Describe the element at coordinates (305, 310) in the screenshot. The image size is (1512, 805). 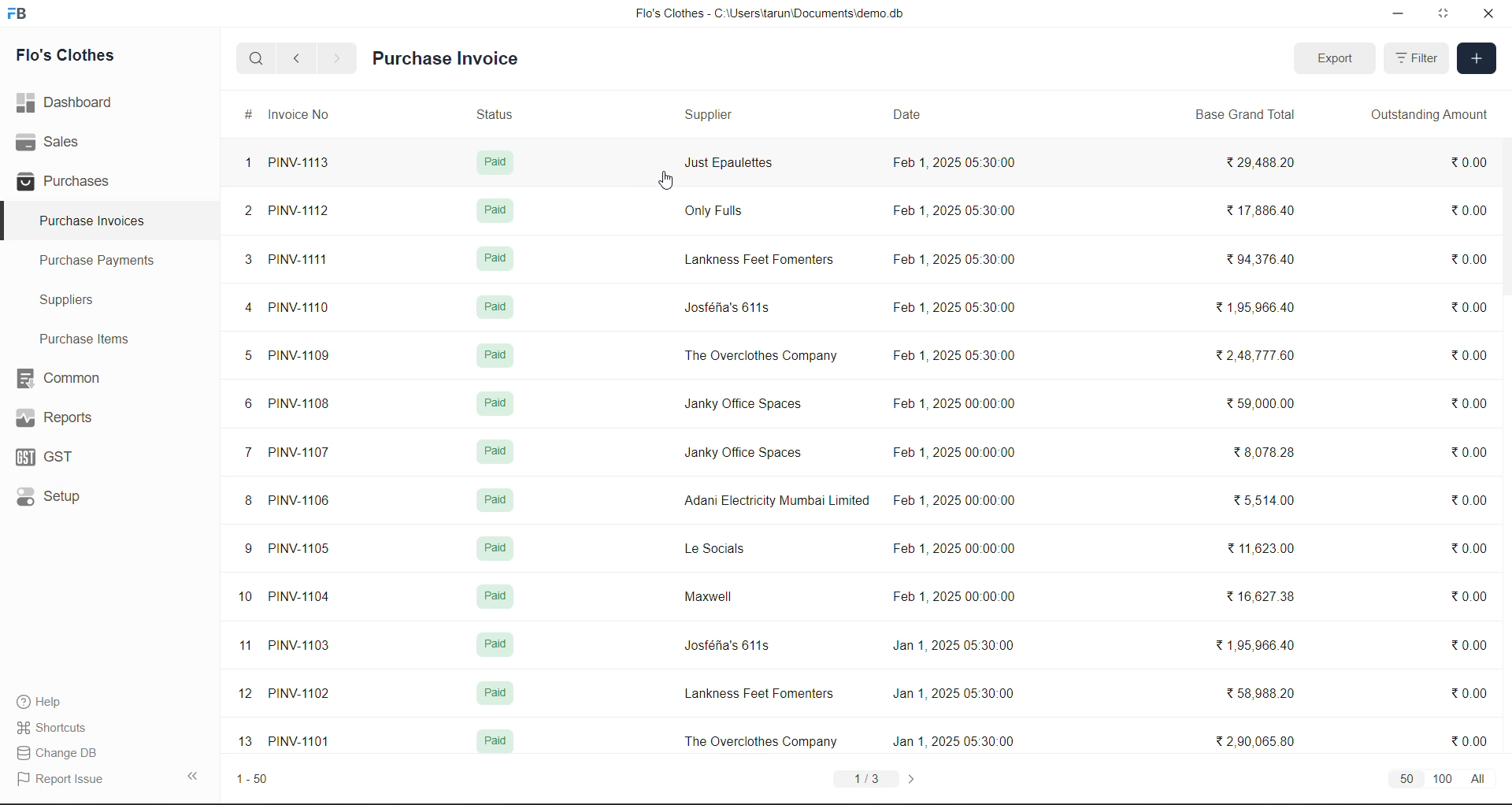
I see `PINV-1110` at that location.